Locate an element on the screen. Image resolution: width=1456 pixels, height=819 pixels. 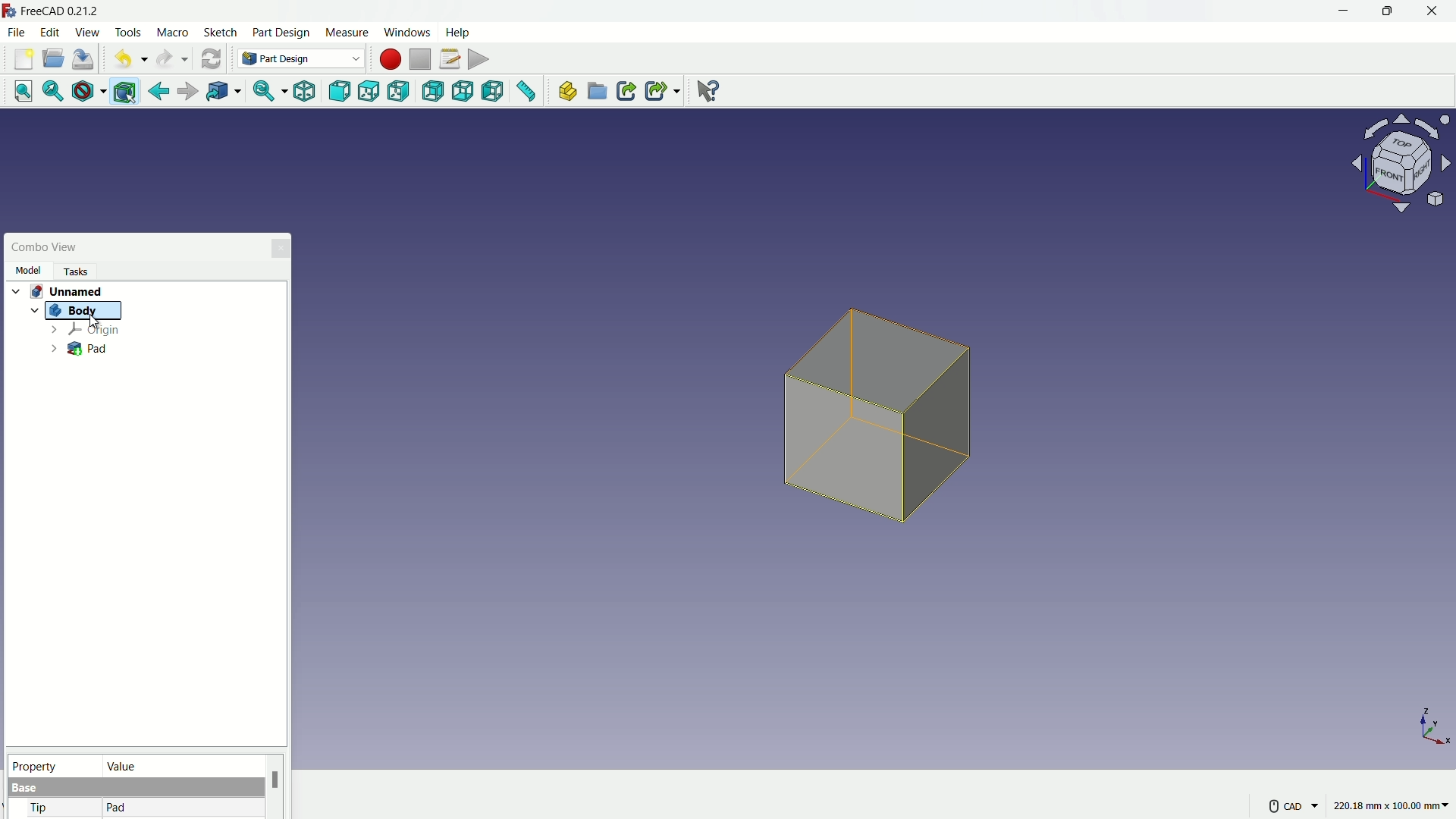
help is located at coordinates (460, 31).